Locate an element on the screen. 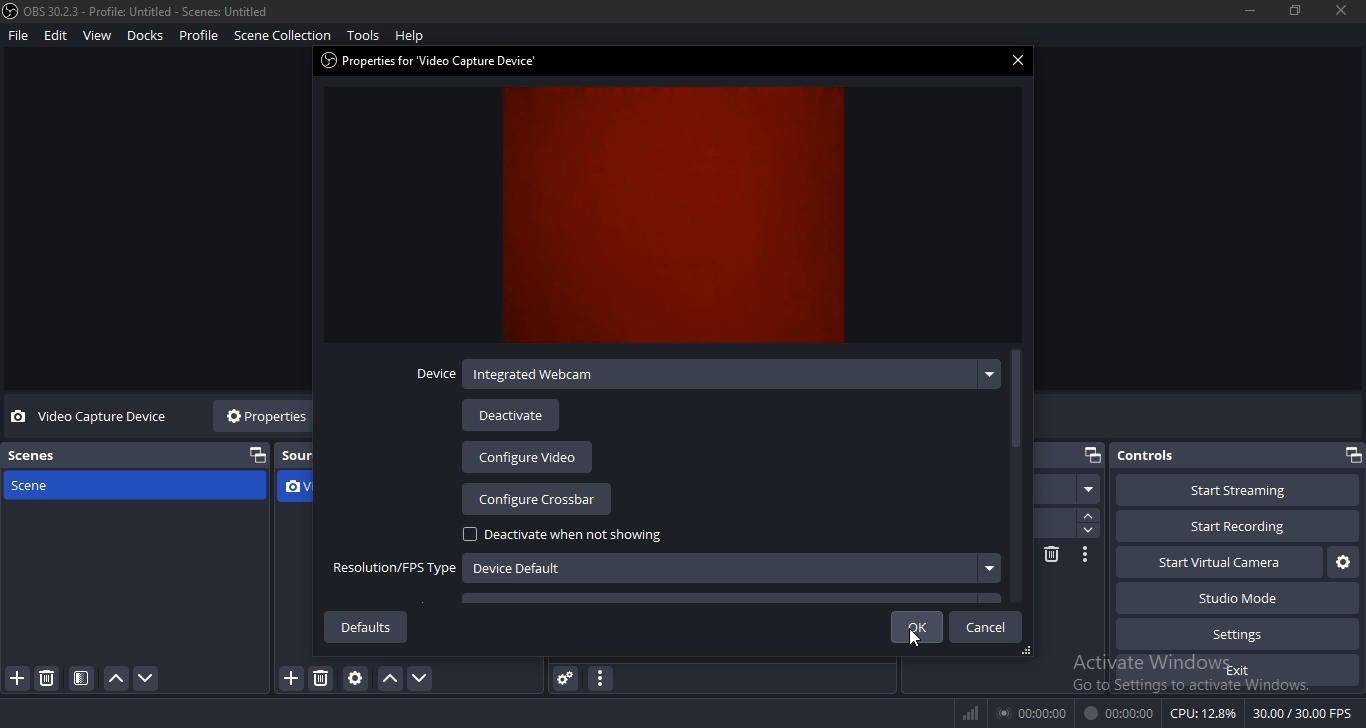  properties for video capture device is located at coordinates (435, 62).